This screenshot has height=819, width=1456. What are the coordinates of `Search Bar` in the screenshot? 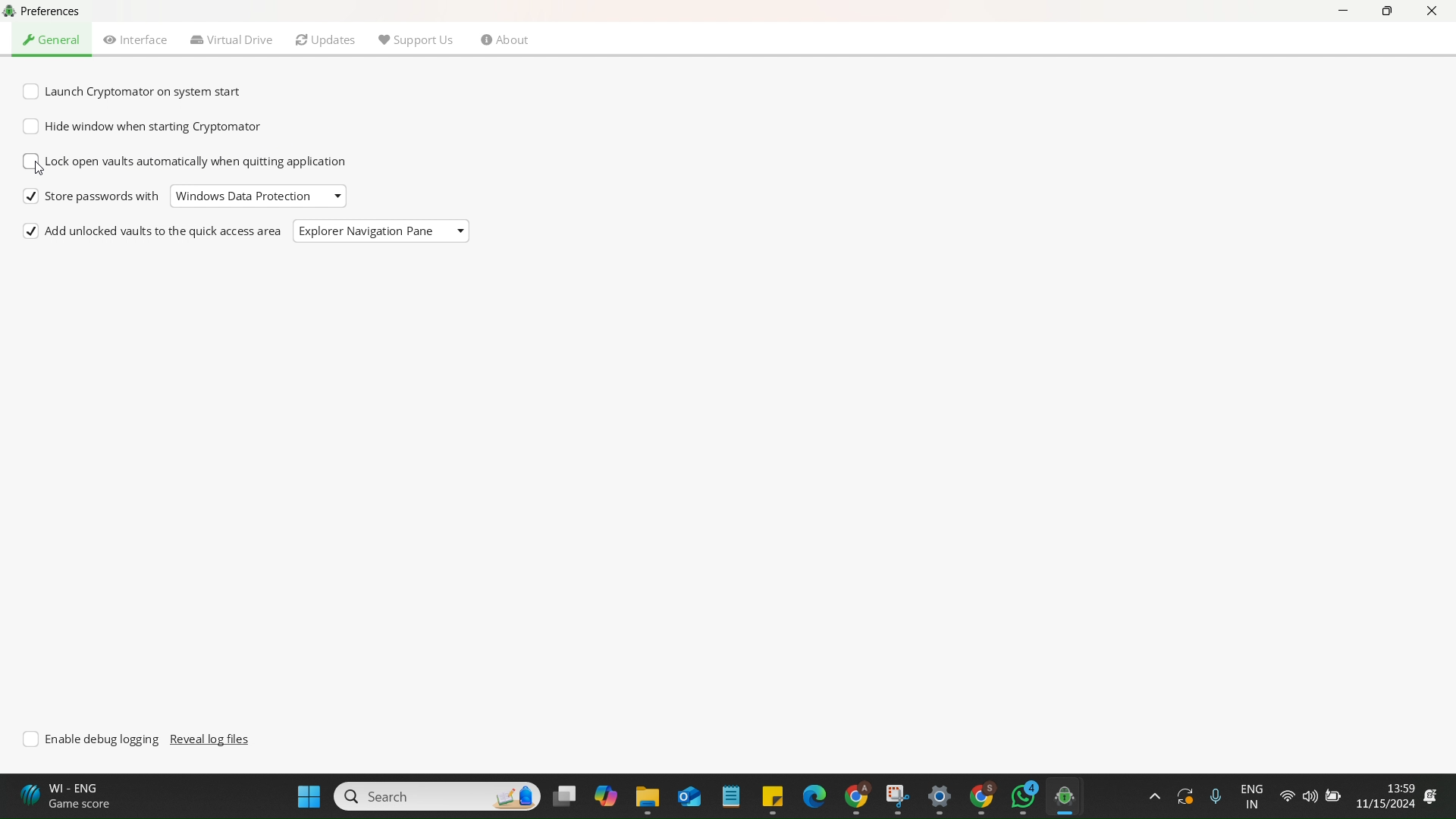 It's located at (435, 795).